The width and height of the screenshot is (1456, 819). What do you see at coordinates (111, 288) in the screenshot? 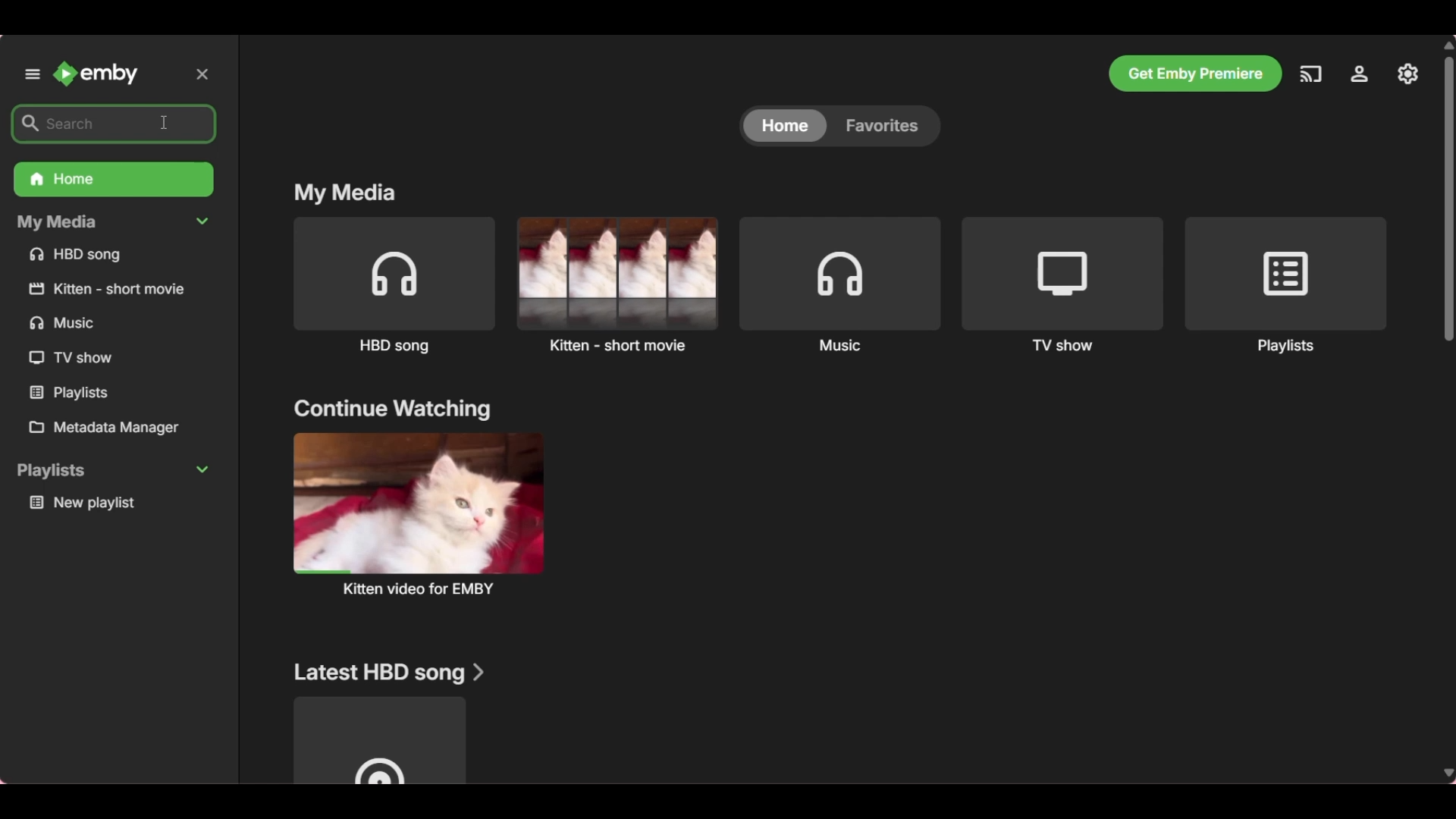
I see `kitten short movie` at bounding box center [111, 288].